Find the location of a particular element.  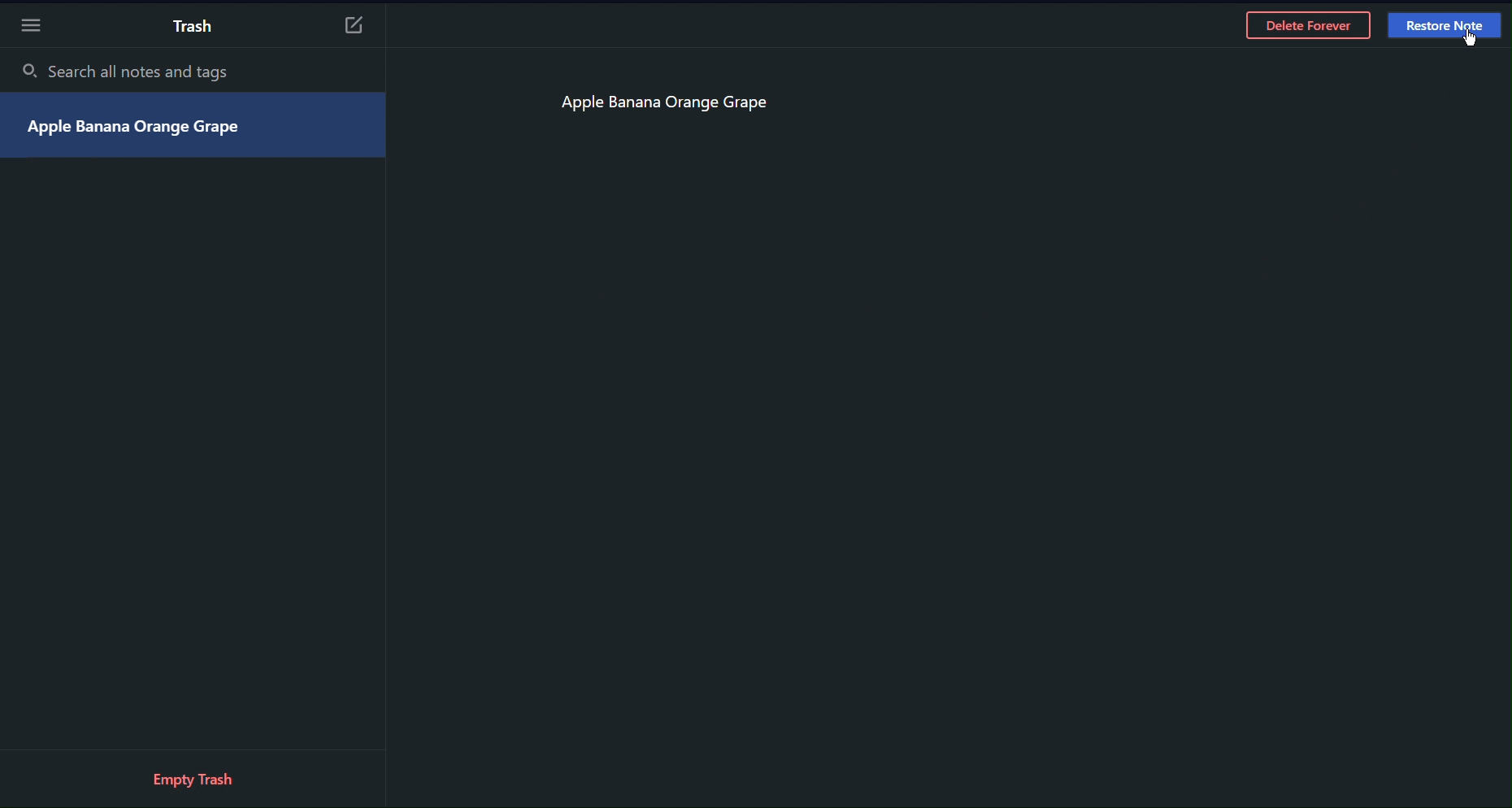

cursor is located at coordinates (1473, 40).